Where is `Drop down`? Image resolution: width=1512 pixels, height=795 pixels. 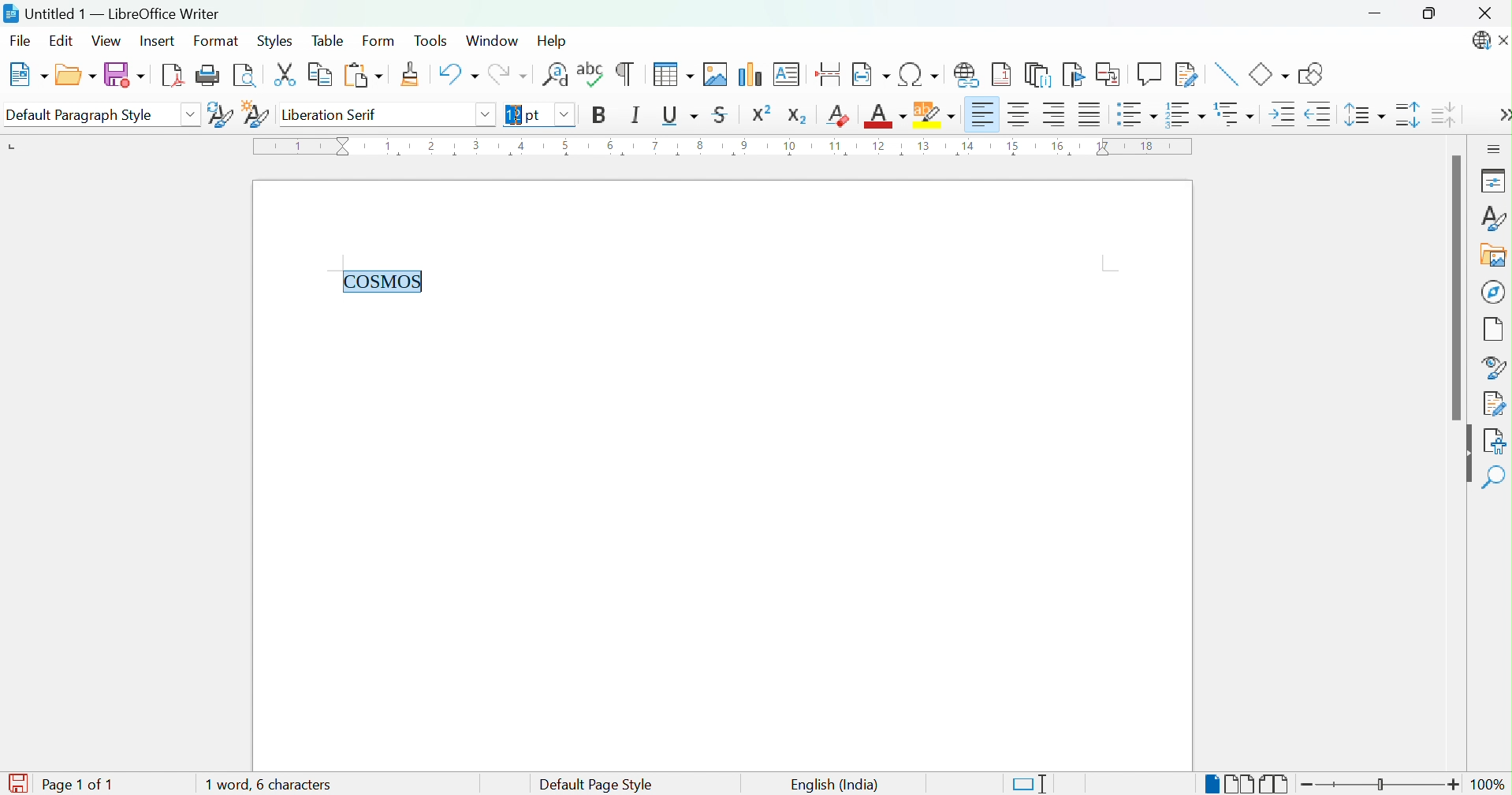
Drop down is located at coordinates (484, 114).